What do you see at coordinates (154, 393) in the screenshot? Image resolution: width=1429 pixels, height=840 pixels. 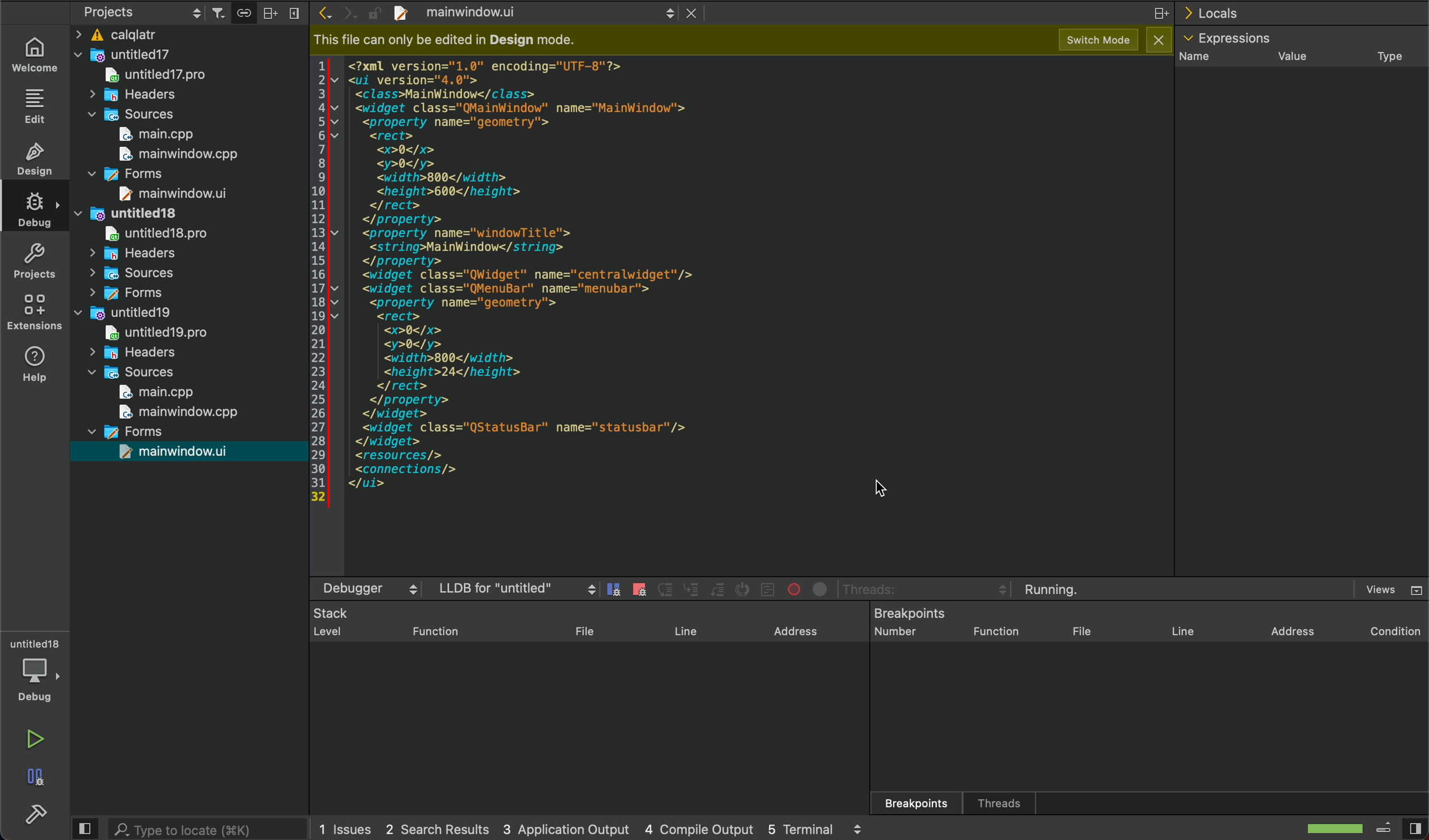 I see `main cpp` at bounding box center [154, 393].